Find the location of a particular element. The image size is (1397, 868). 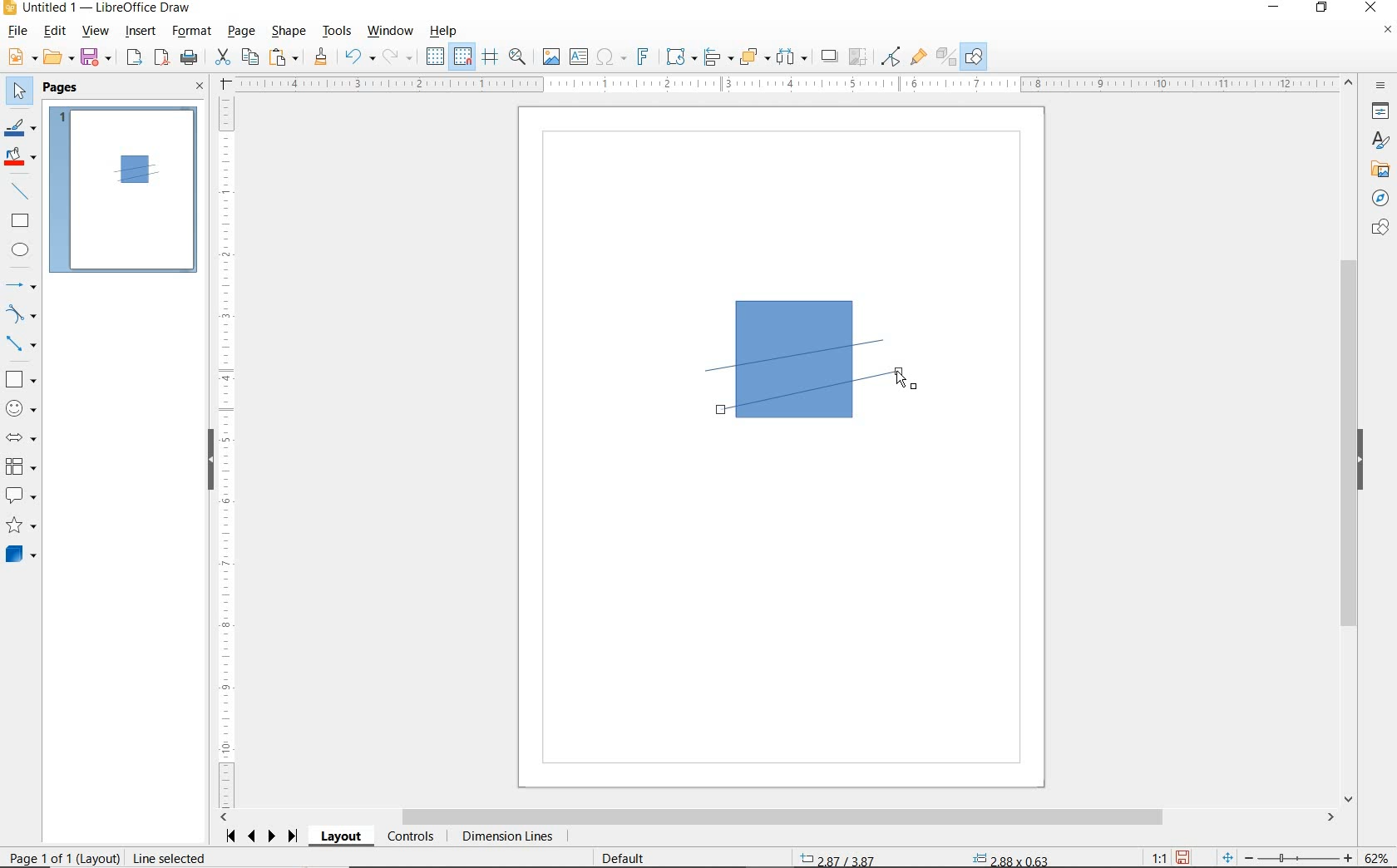

PRINT is located at coordinates (190, 60).